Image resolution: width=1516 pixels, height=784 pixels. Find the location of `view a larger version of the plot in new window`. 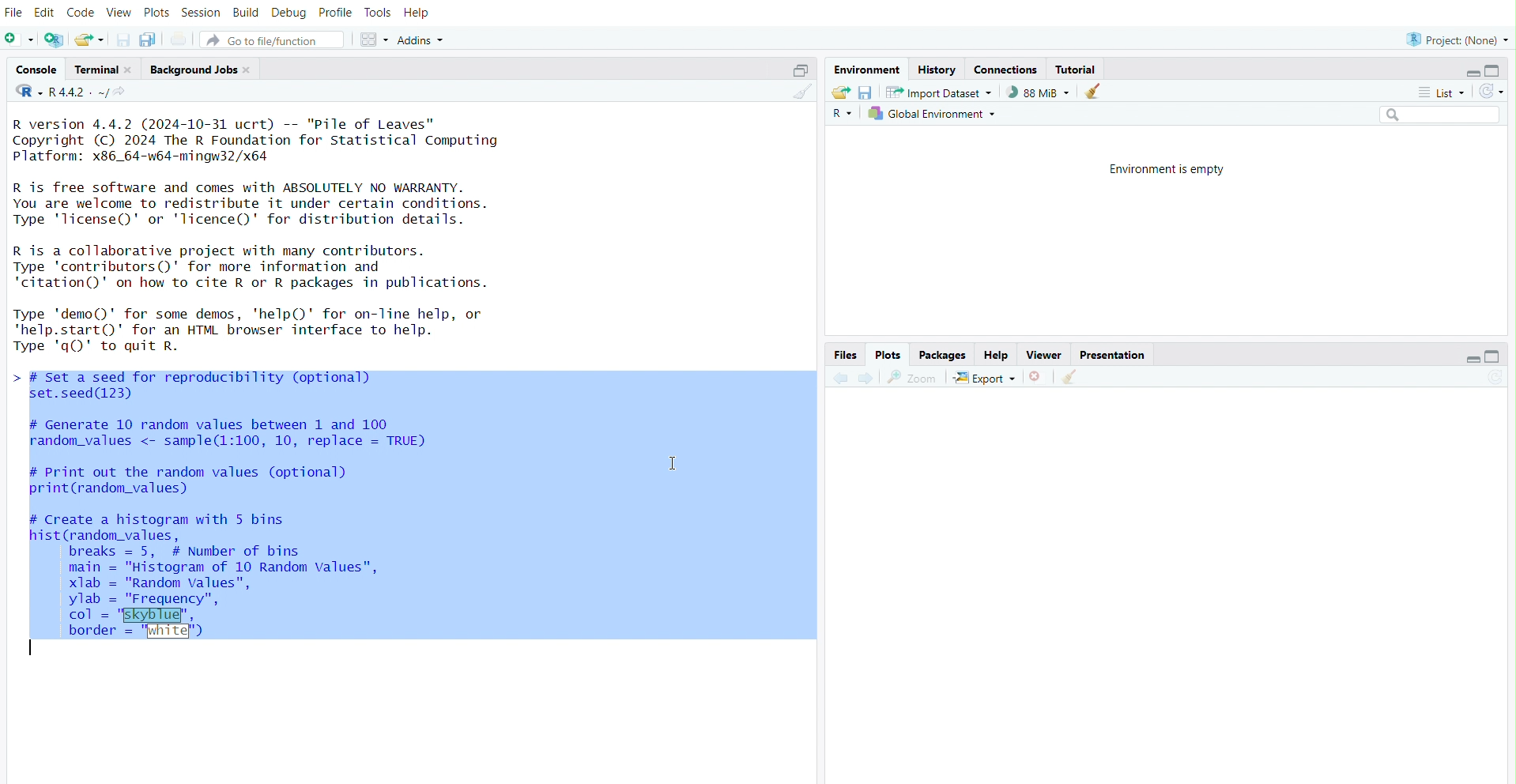

view a larger version of the plot in new window is located at coordinates (911, 377).